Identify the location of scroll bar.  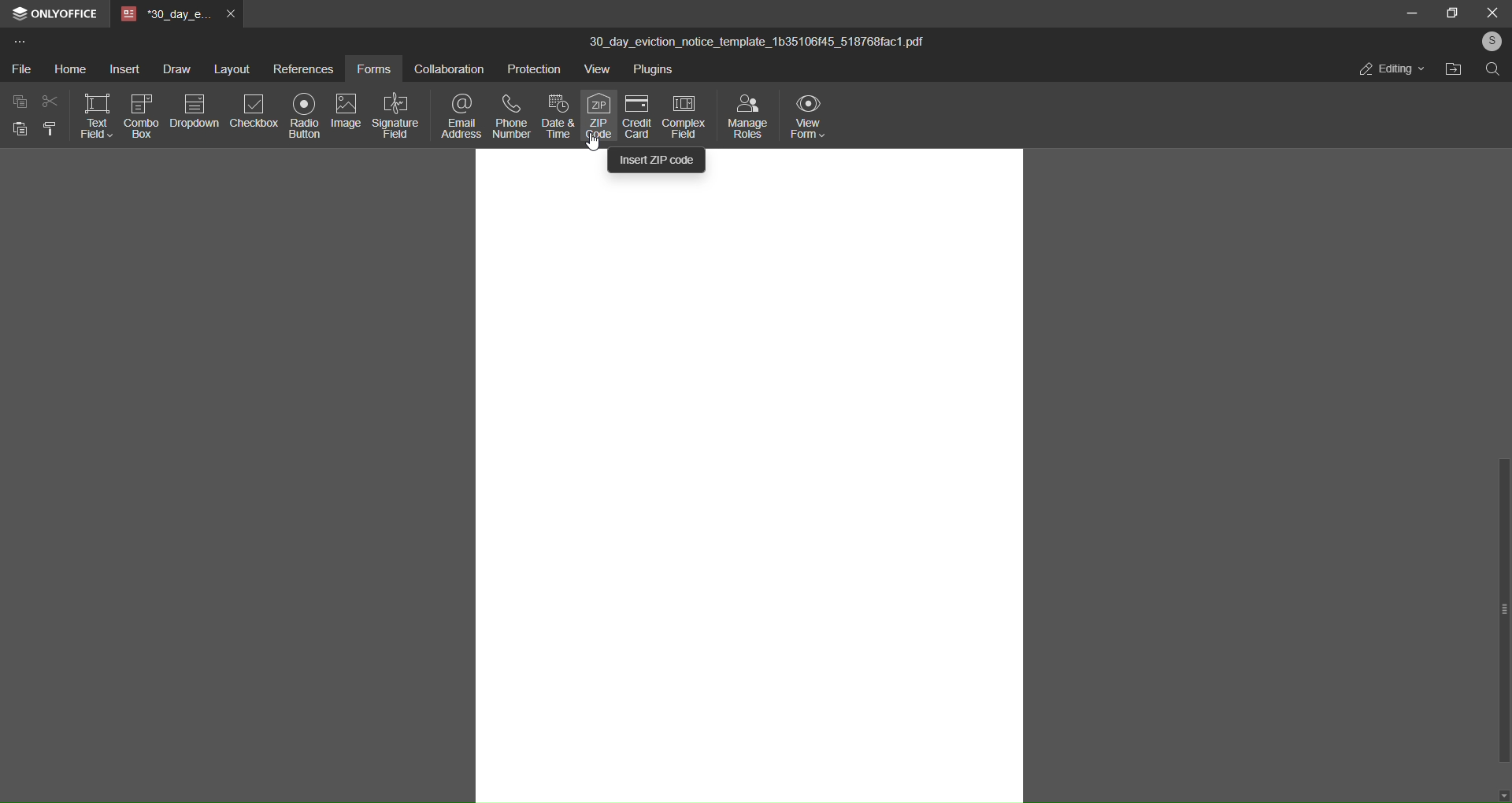
(1509, 477).